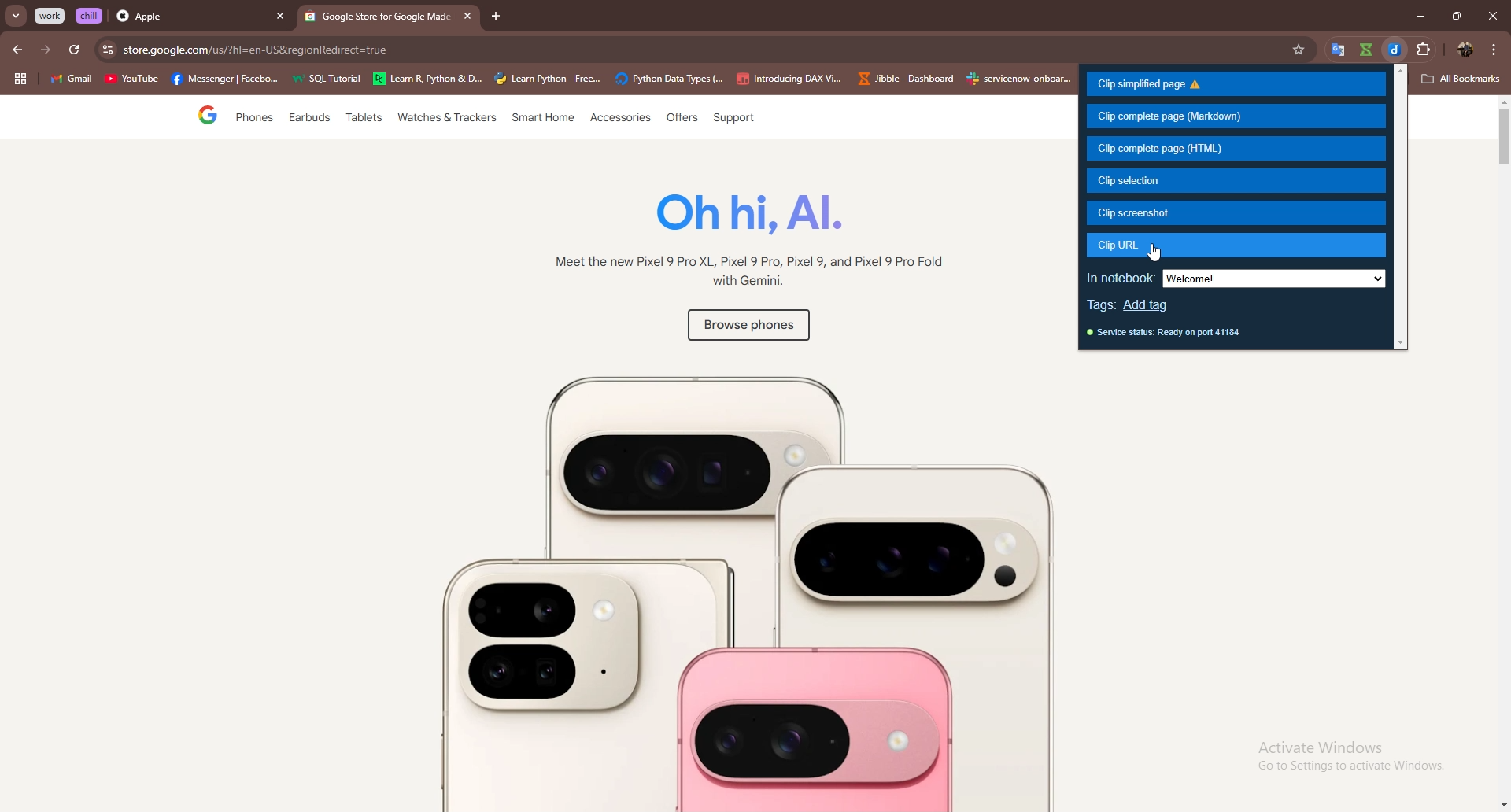 The width and height of the screenshot is (1511, 812). I want to click on Earbuds, so click(311, 121).